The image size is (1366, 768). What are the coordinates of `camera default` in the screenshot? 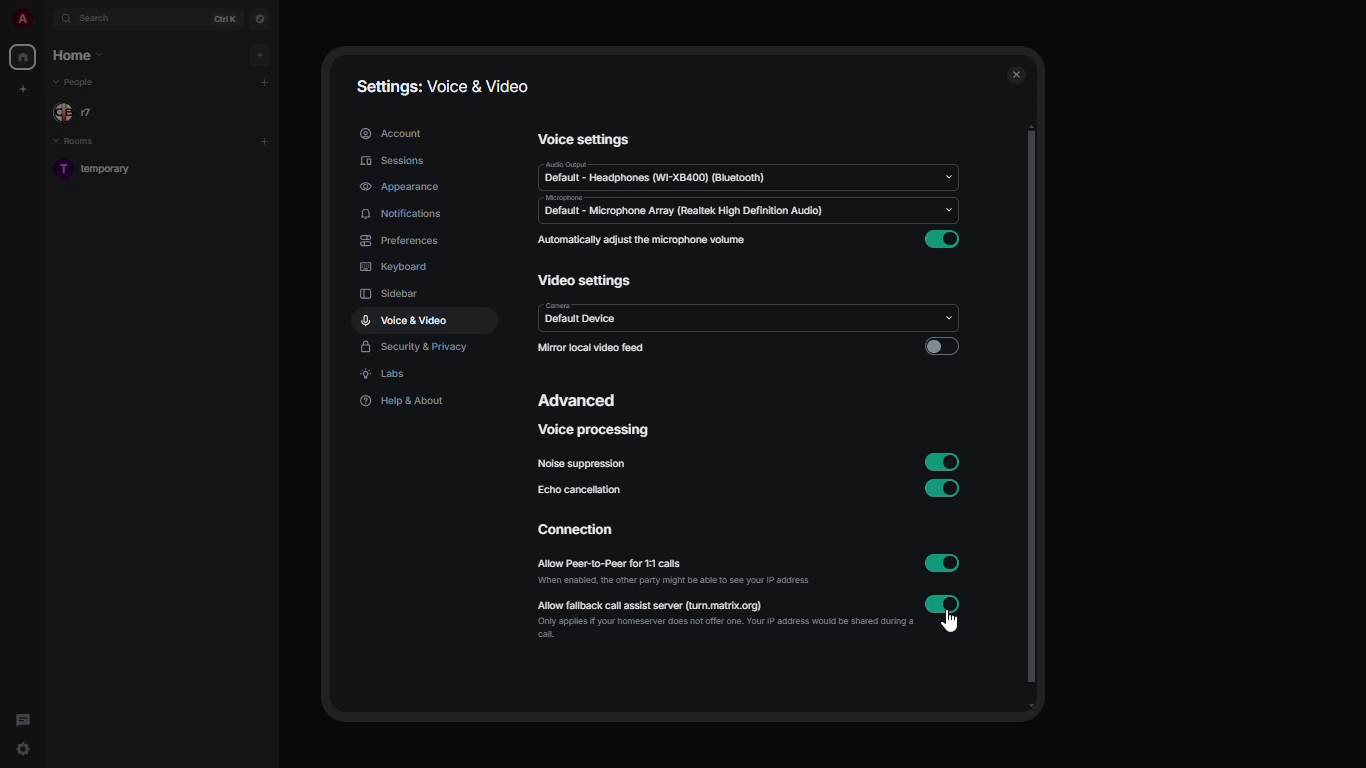 It's located at (580, 317).